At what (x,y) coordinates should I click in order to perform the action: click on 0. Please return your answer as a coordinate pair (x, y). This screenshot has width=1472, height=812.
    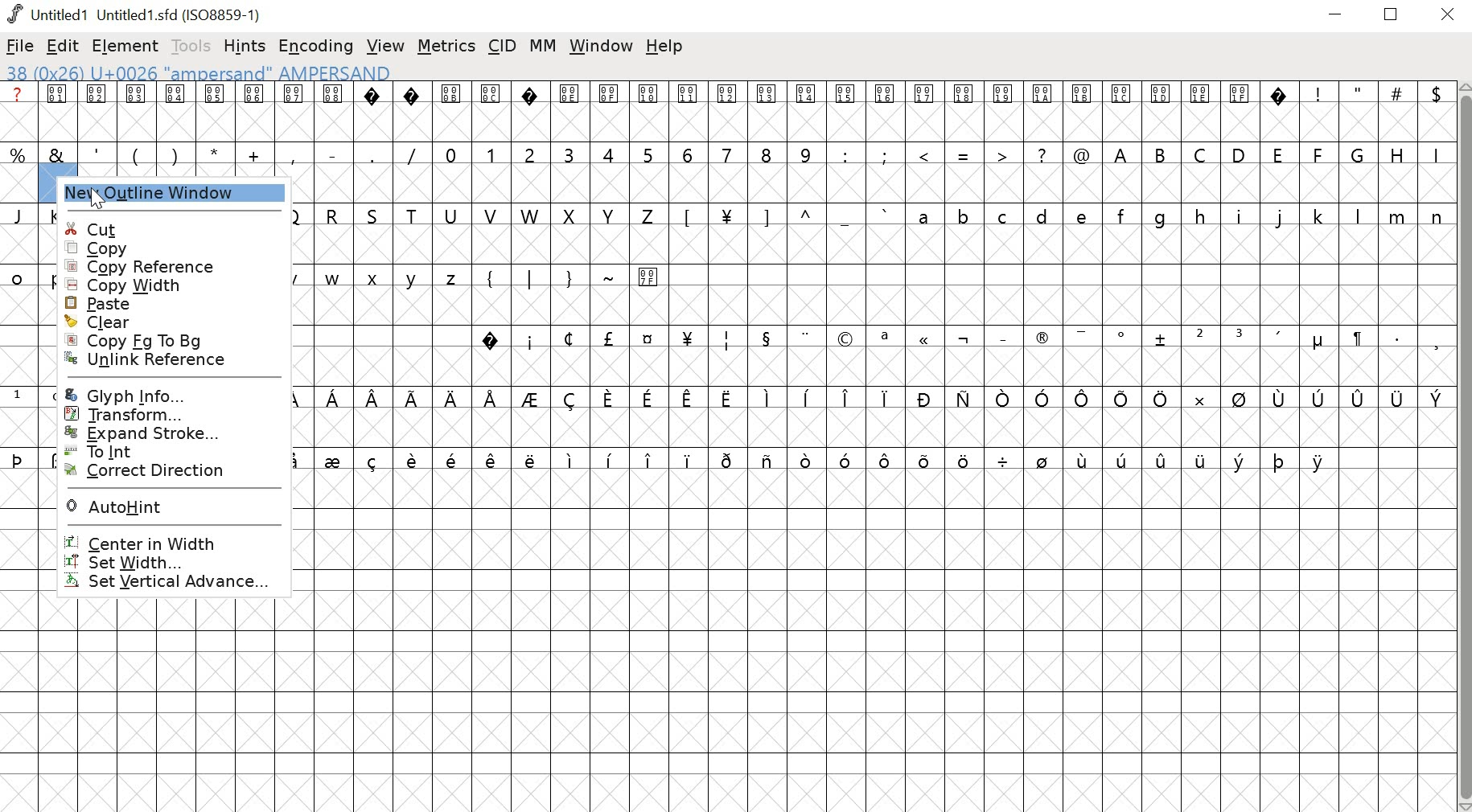
    Looking at the image, I should click on (452, 153).